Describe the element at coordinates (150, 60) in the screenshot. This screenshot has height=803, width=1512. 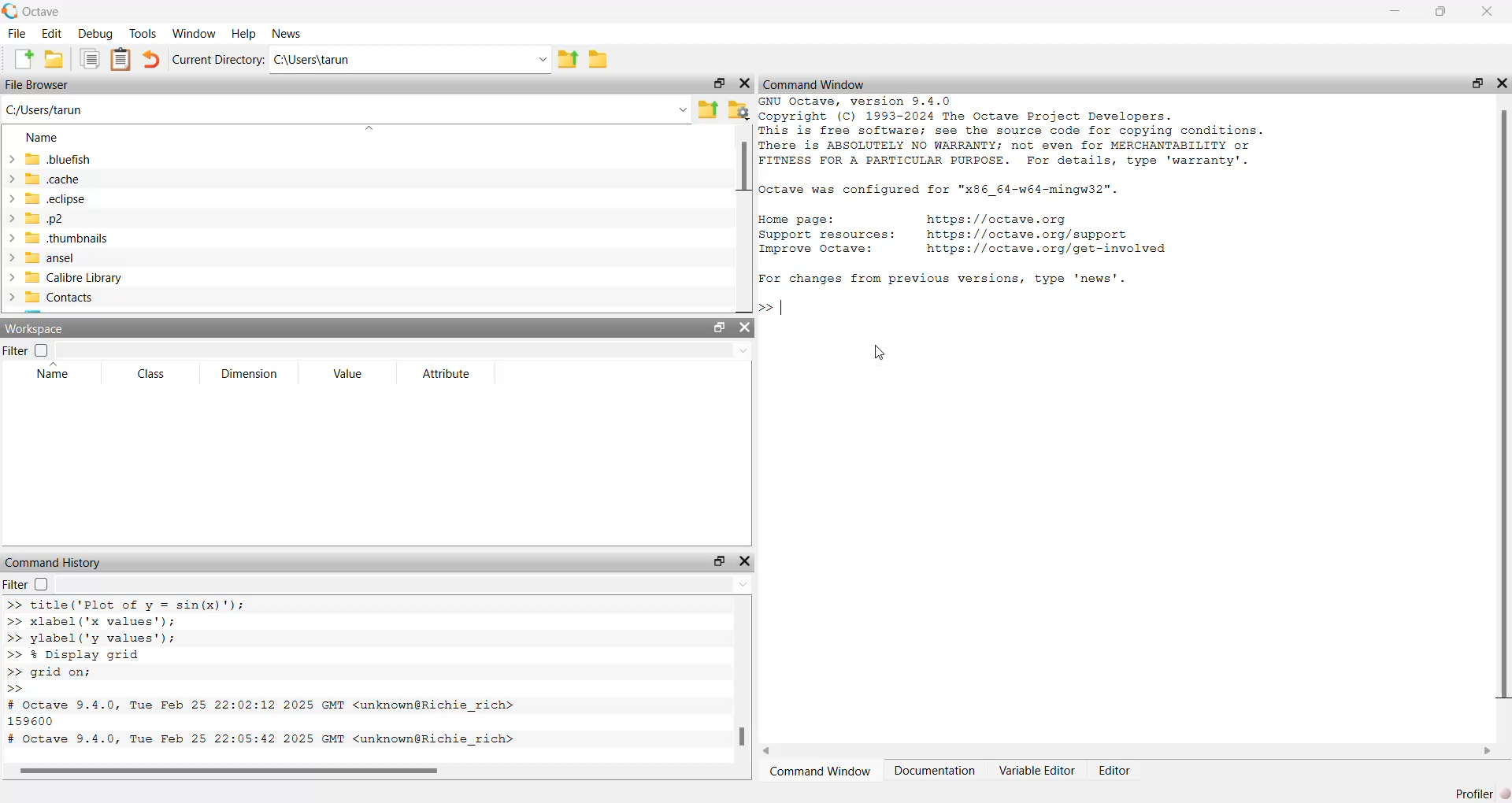
I see `undo` at that location.